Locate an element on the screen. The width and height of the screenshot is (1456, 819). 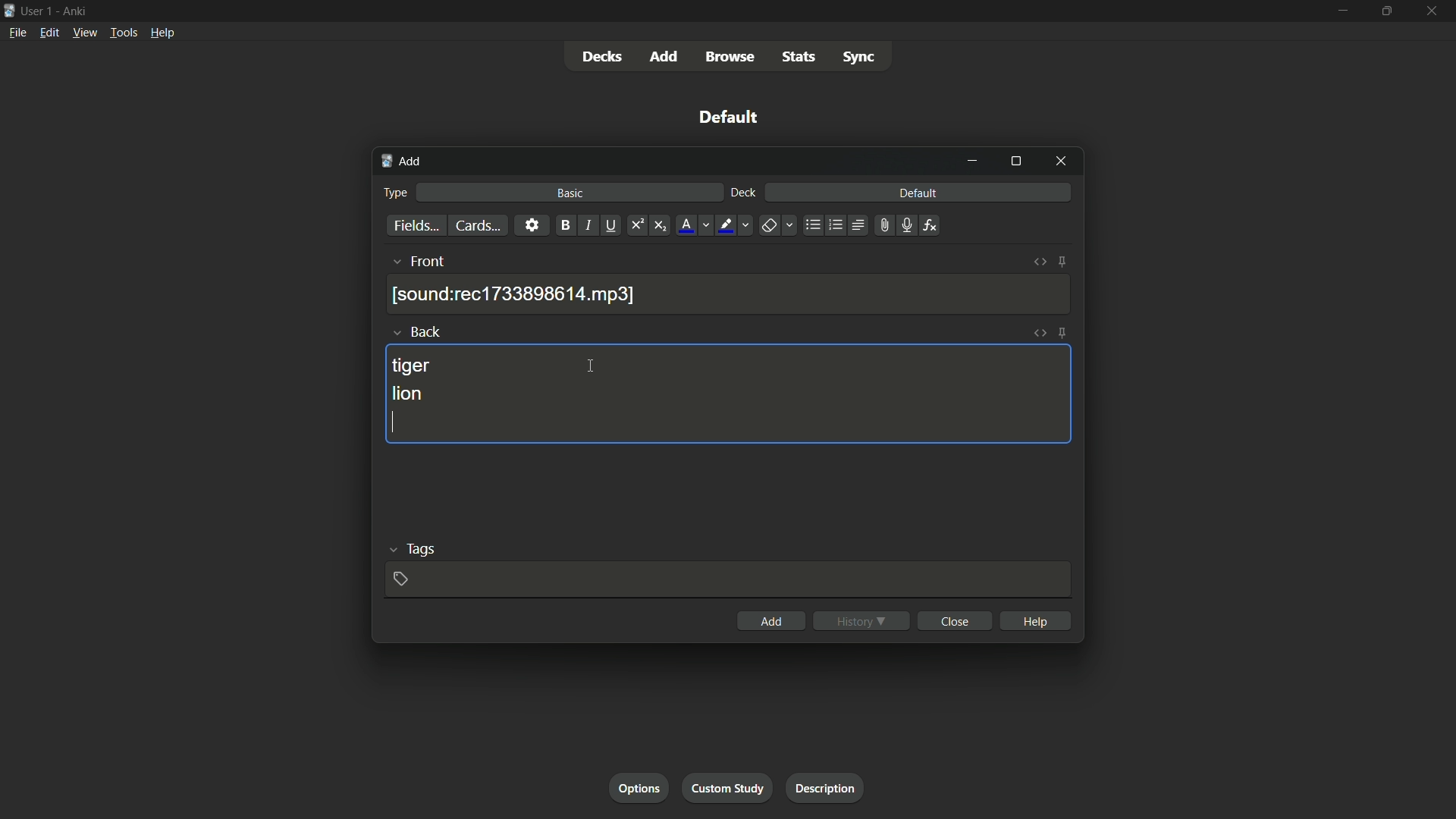
close window is located at coordinates (1059, 162).